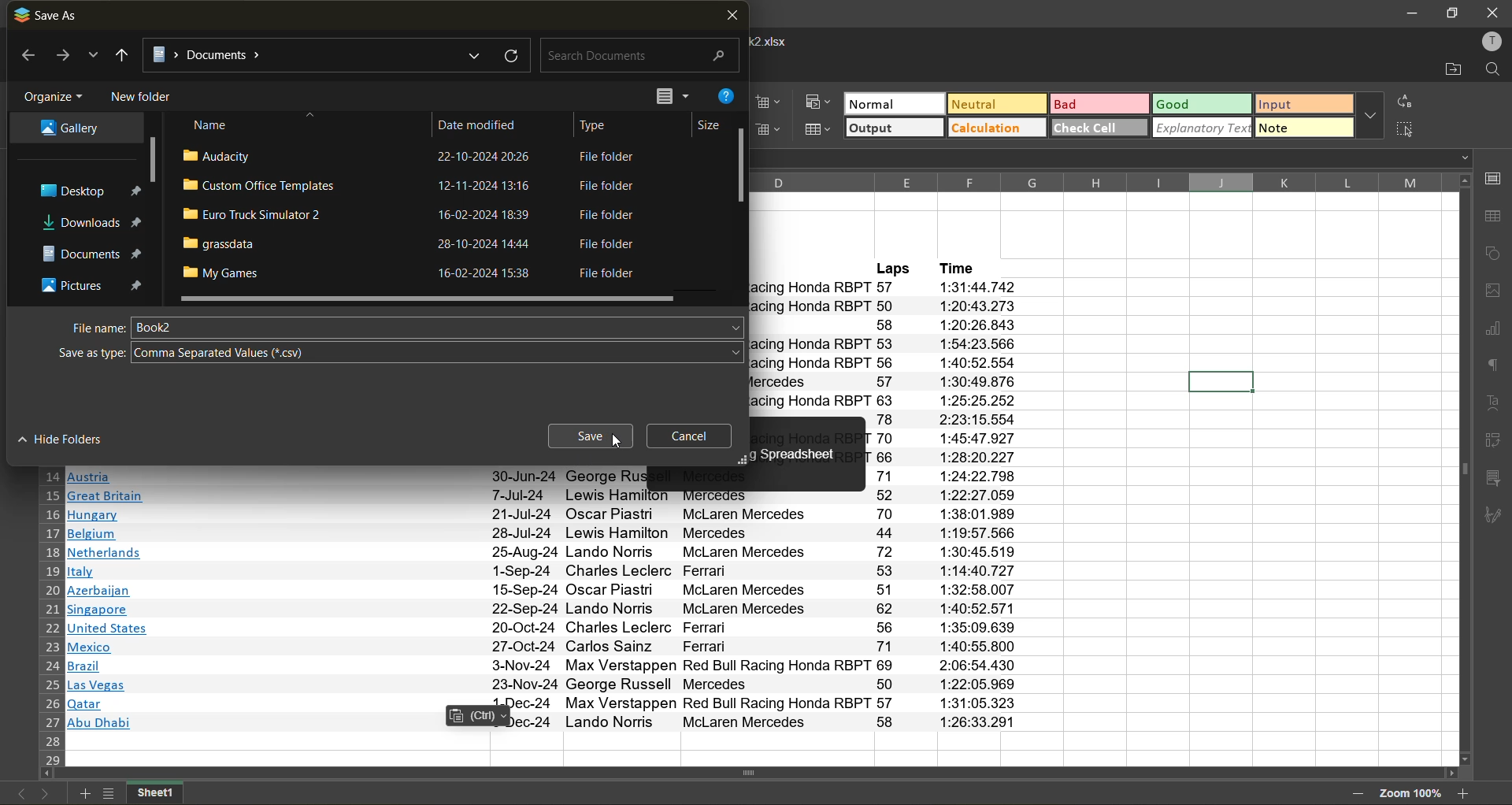  I want to click on charts, so click(1492, 331).